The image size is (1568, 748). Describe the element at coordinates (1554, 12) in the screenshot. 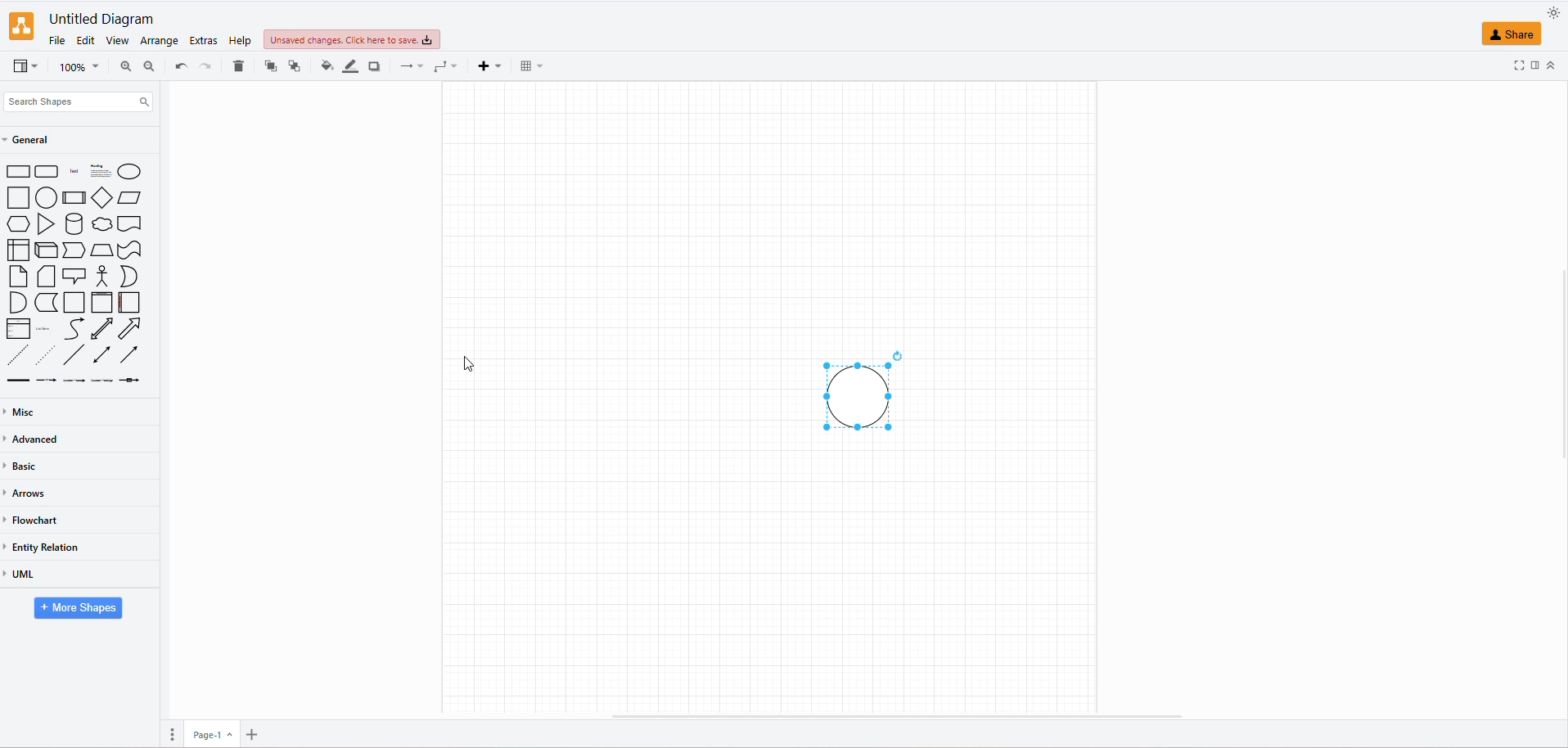

I see `APPEARANCE` at that location.